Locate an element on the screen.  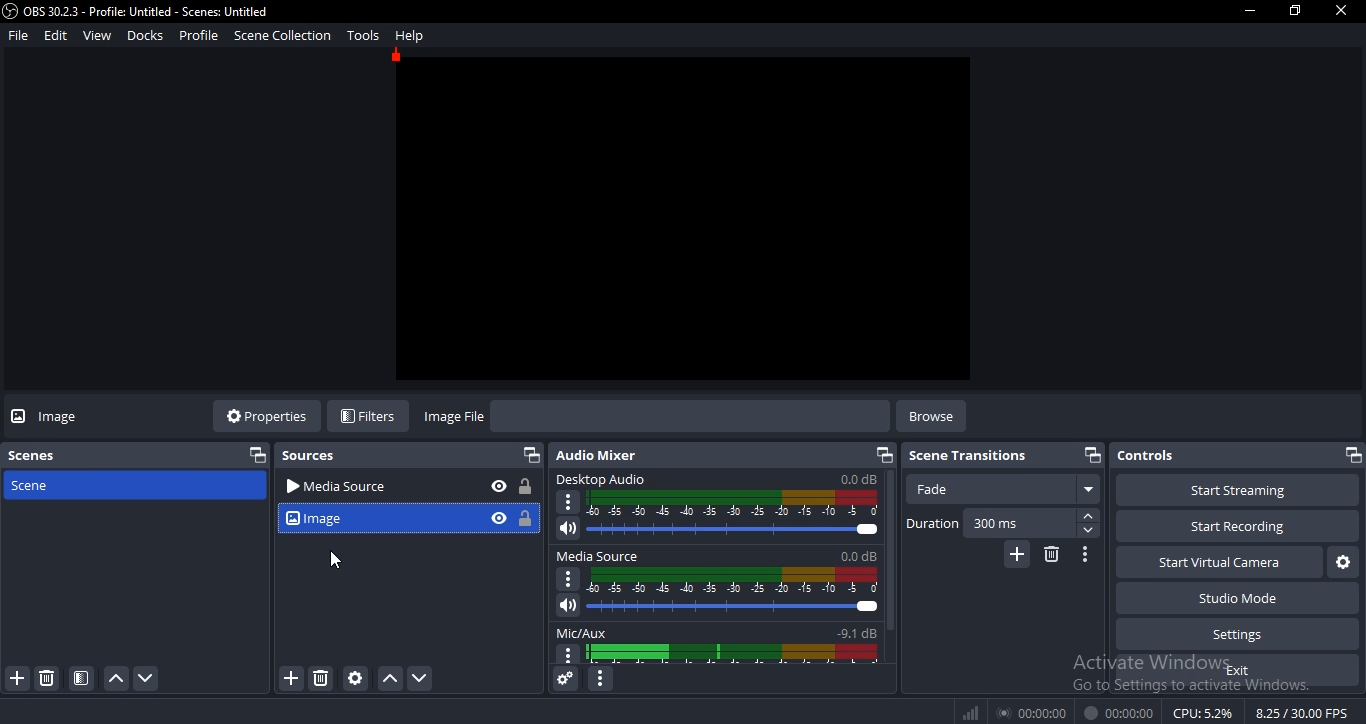
options is located at coordinates (566, 580).